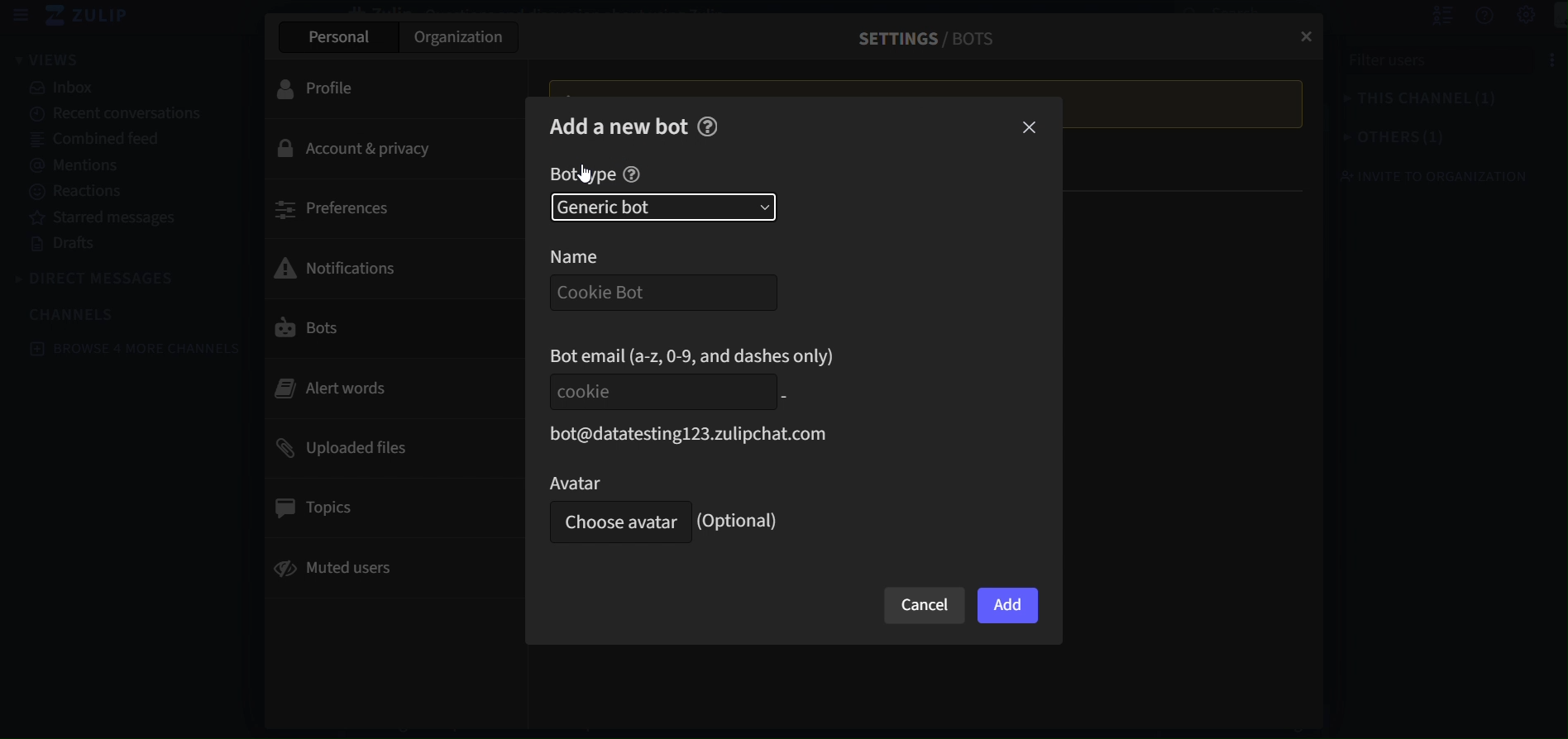 This screenshot has height=739, width=1568. Describe the element at coordinates (632, 175) in the screenshot. I see `help` at that location.